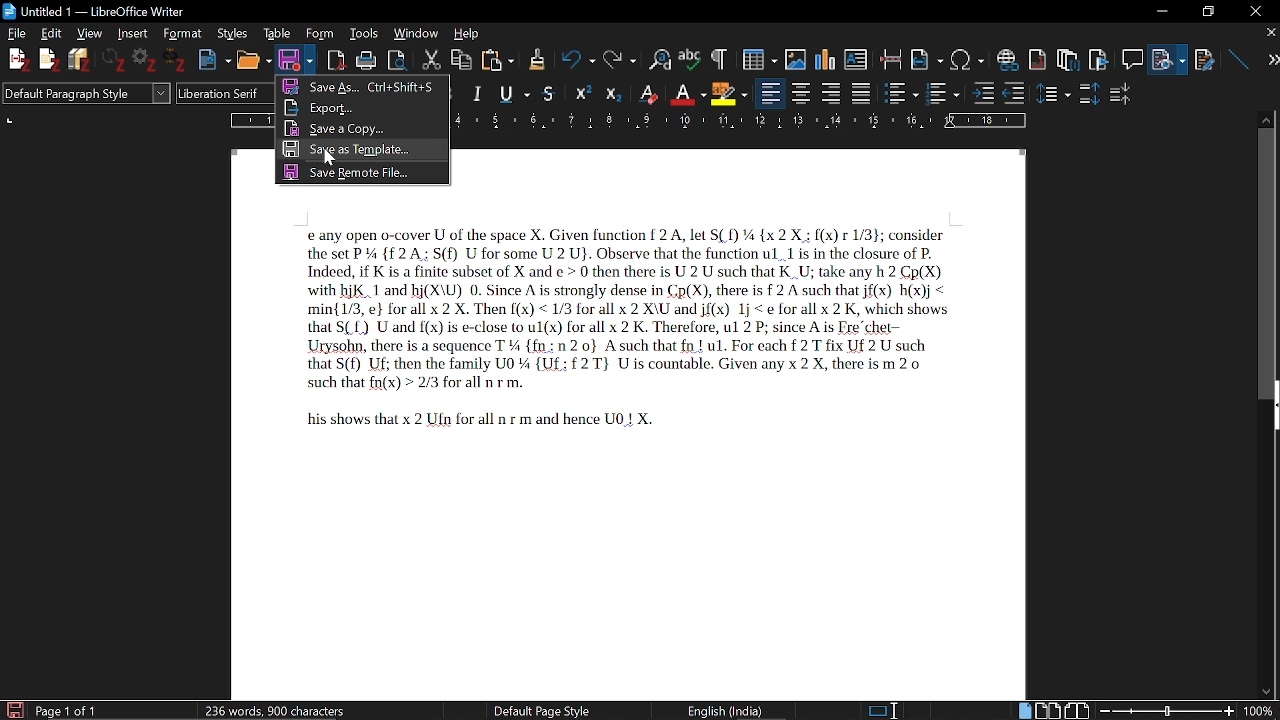 This screenshot has height=720, width=1280. What do you see at coordinates (467, 32) in the screenshot?
I see `Help` at bounding box center [467, 32].